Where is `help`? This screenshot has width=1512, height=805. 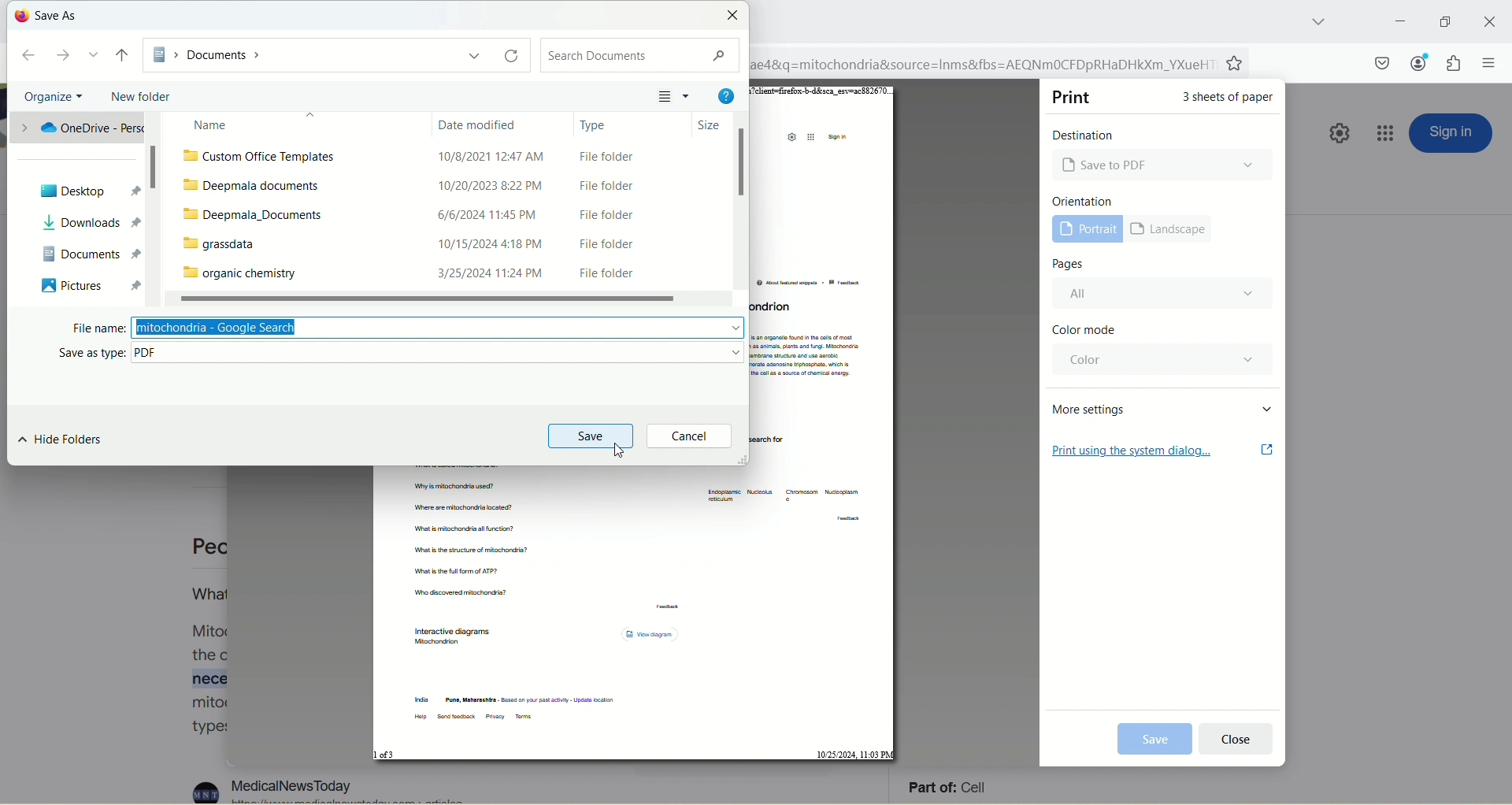 help is located at coordinates (728, 95).